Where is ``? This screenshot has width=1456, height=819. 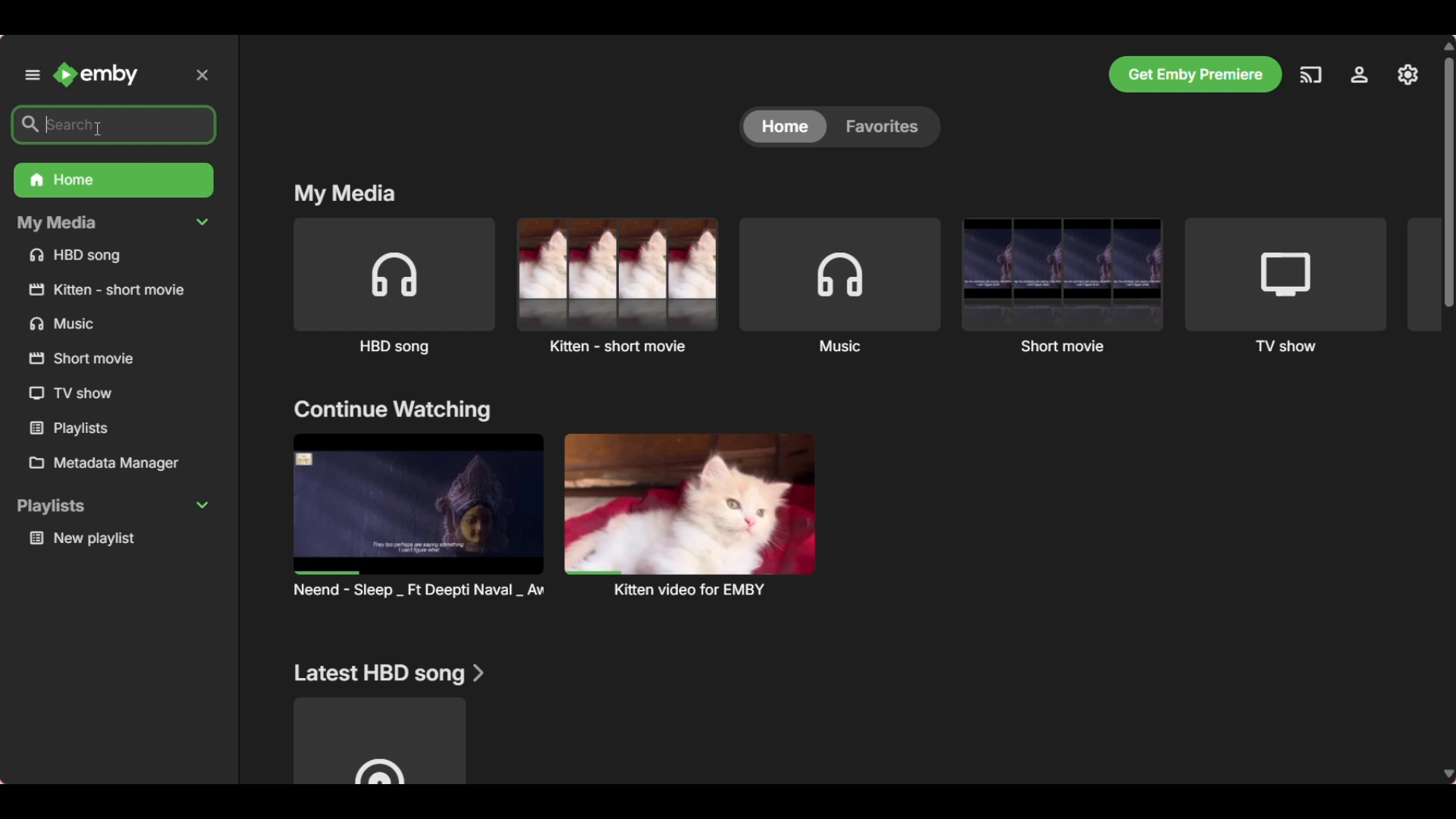
 is located at coordinates (76, 394).